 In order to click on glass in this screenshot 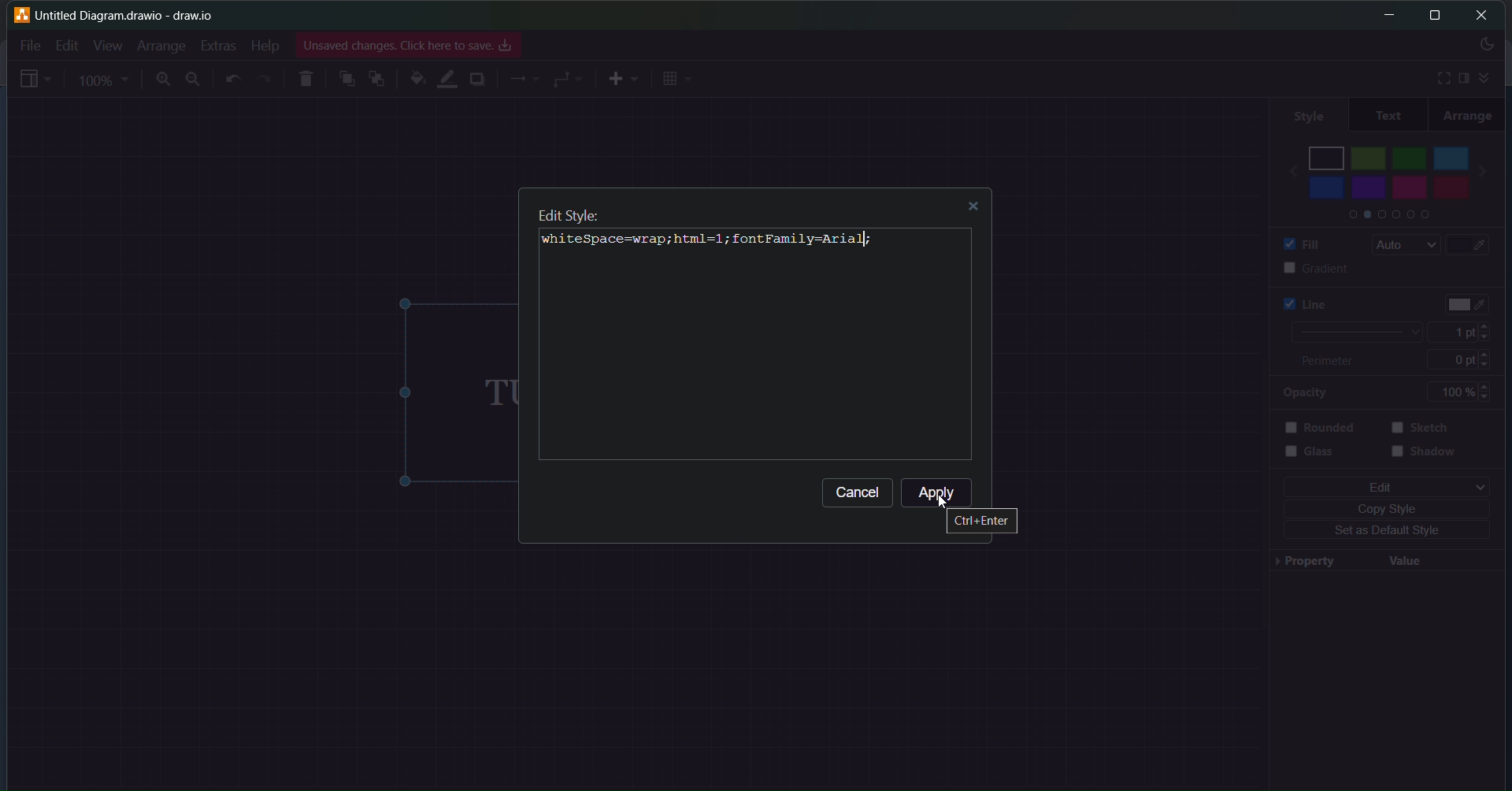, I will do `click(1320, 458)`.